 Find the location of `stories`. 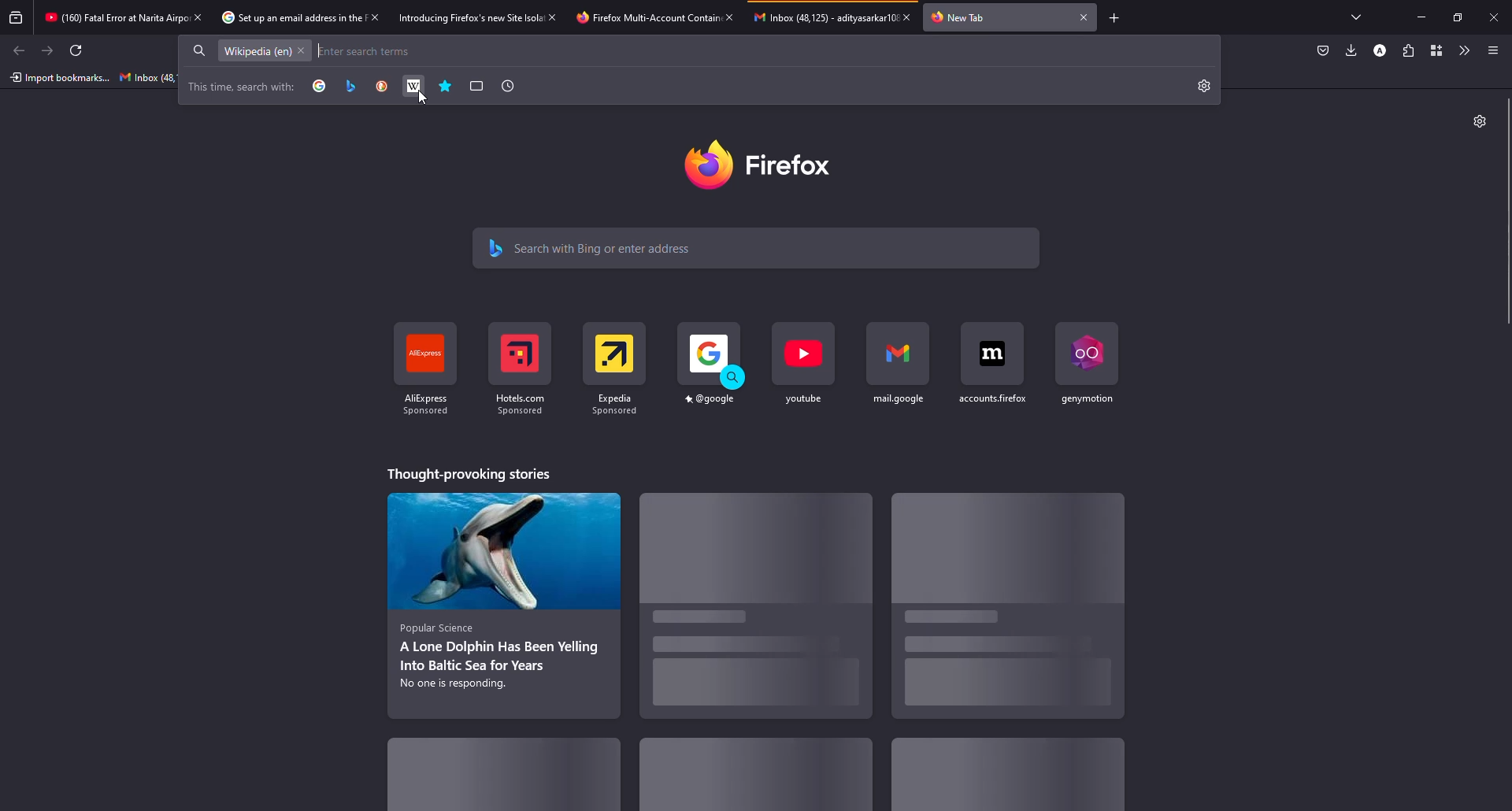

stories is located at coordinates (510, 780).